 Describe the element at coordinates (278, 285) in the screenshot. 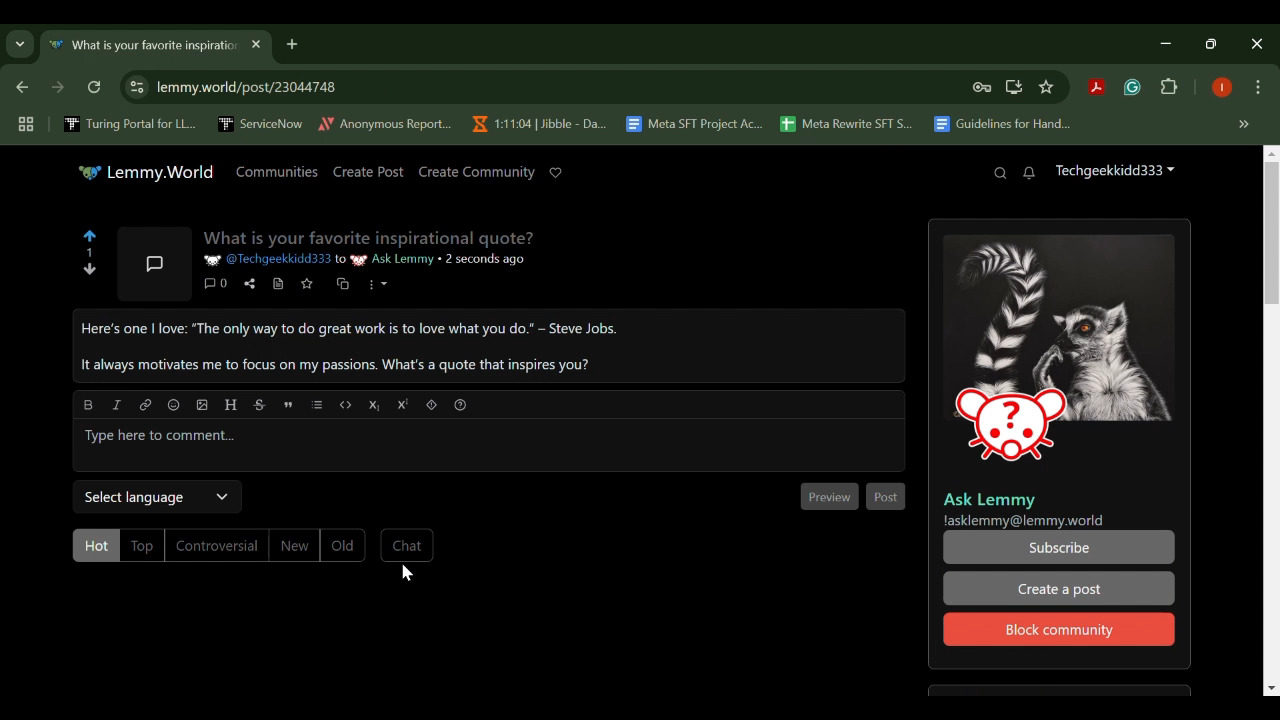

I see `View Source` at that location.